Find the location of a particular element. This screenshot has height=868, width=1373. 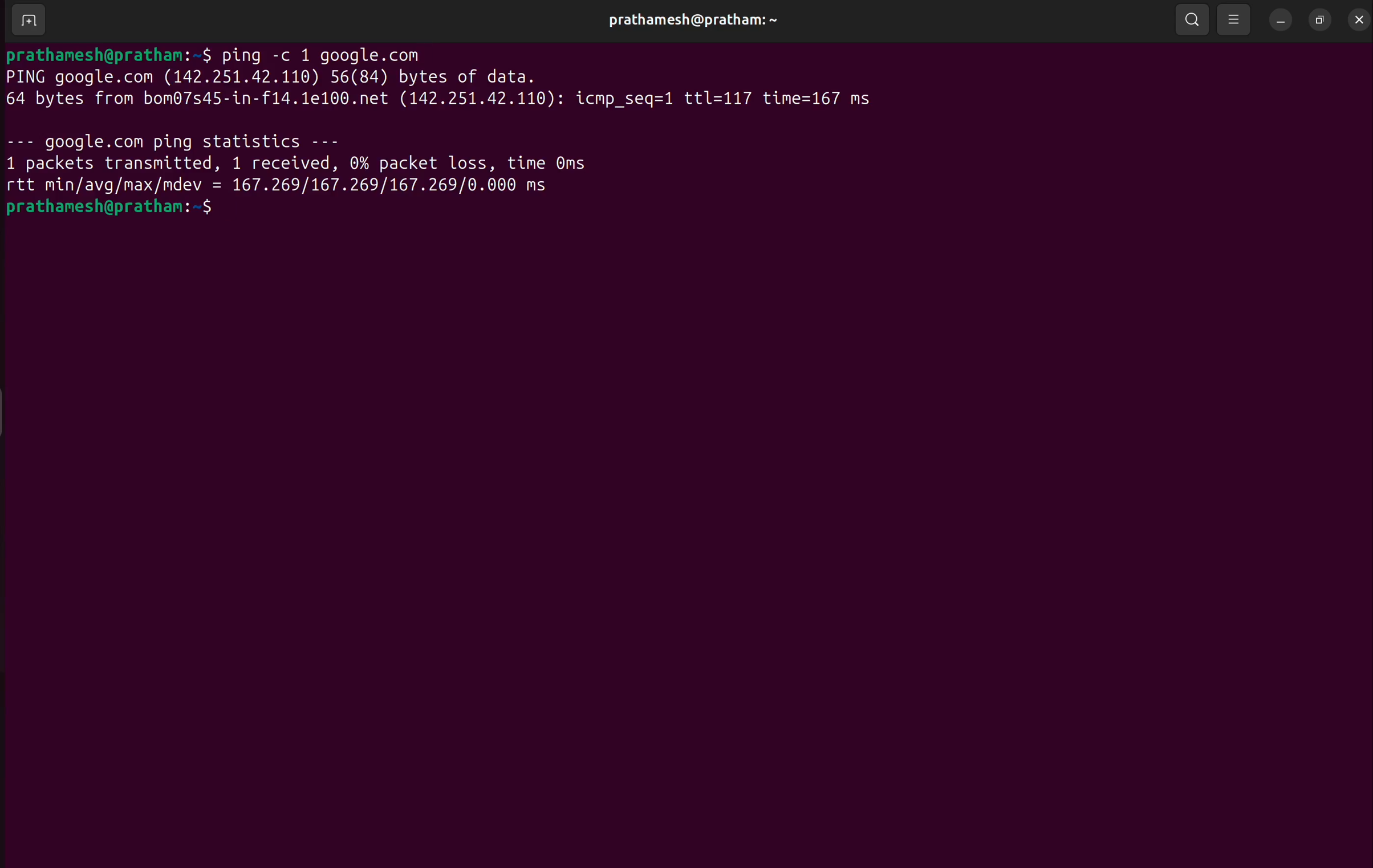

ping -c 1 google.com is located at coordinates (329, 52).